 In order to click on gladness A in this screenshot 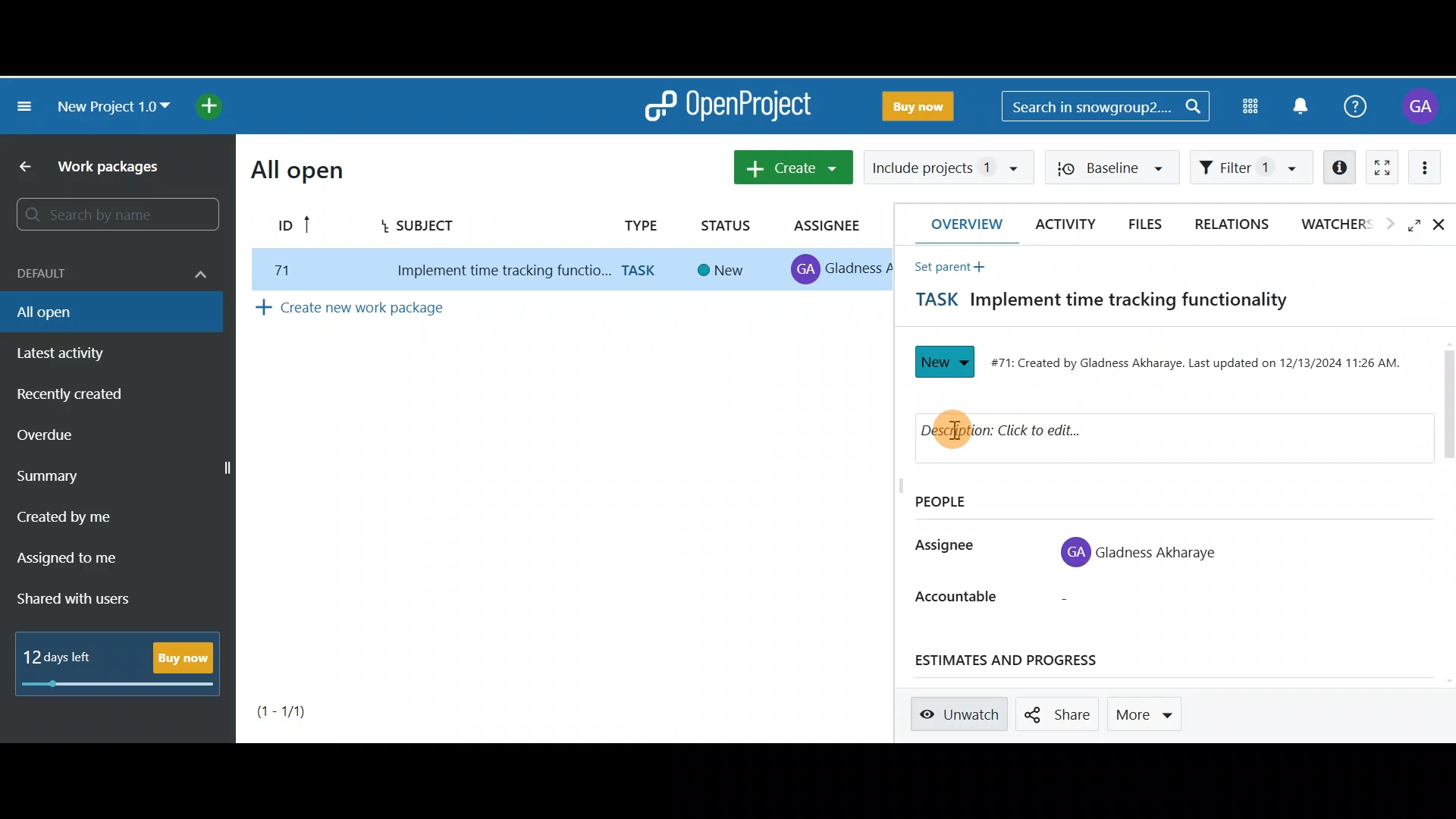, I will do `click(860, 268)`.